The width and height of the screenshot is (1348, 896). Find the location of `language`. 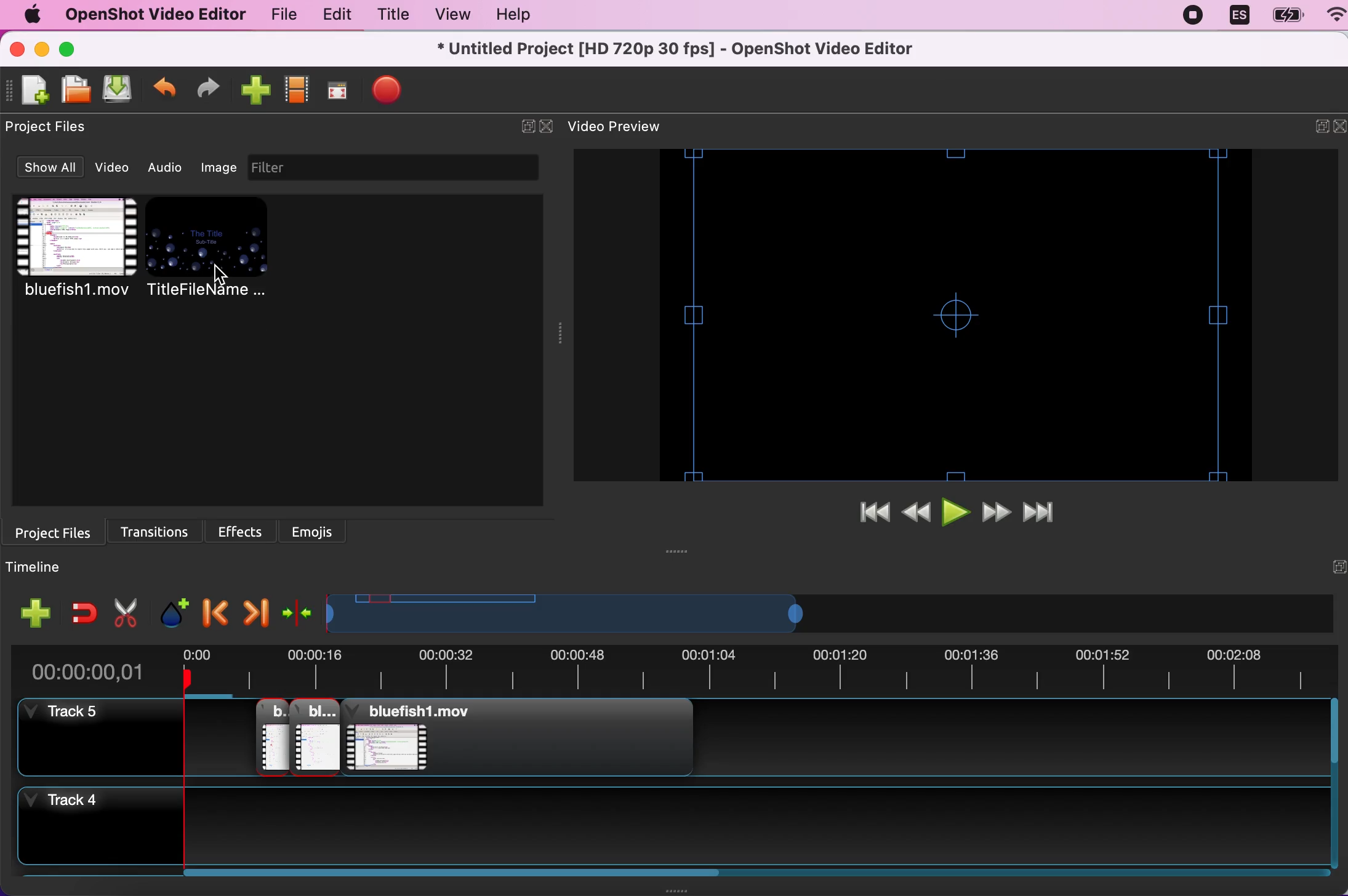

language is located at coordinates (1238, 16).